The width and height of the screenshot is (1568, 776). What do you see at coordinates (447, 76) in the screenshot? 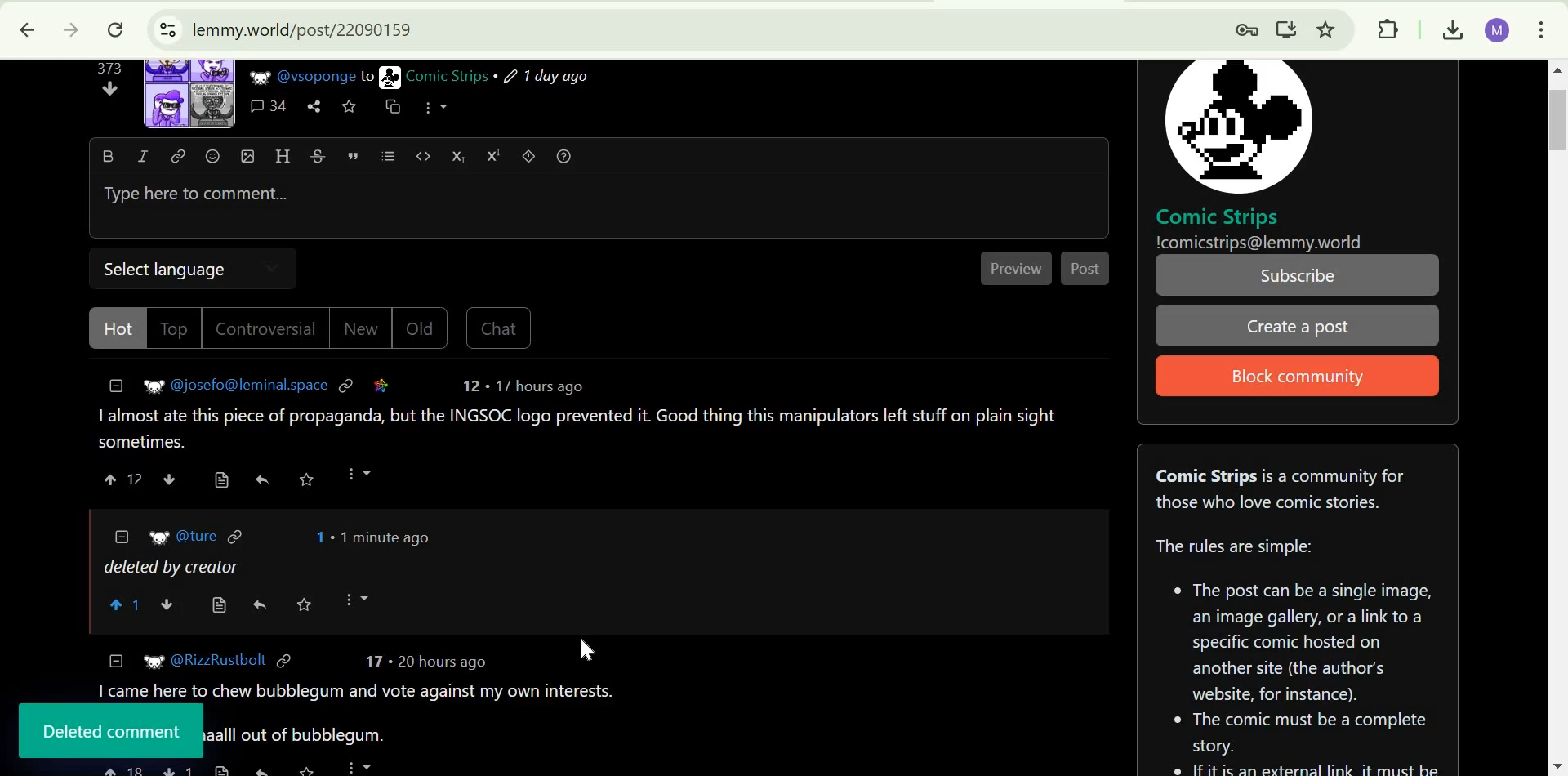
I see `Comic Strips` at bounding box center [447, 76].